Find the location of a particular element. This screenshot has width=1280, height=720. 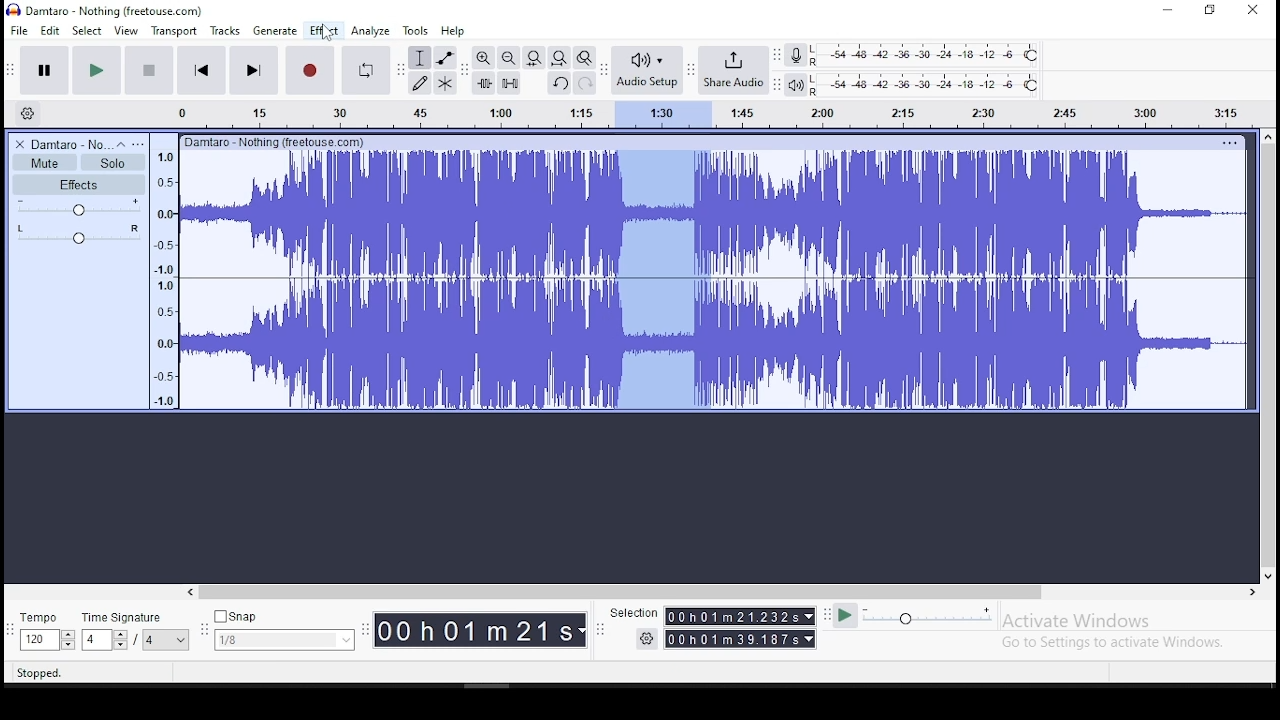

00 h 01 m 39.187s is located at coordinates (733, 639).